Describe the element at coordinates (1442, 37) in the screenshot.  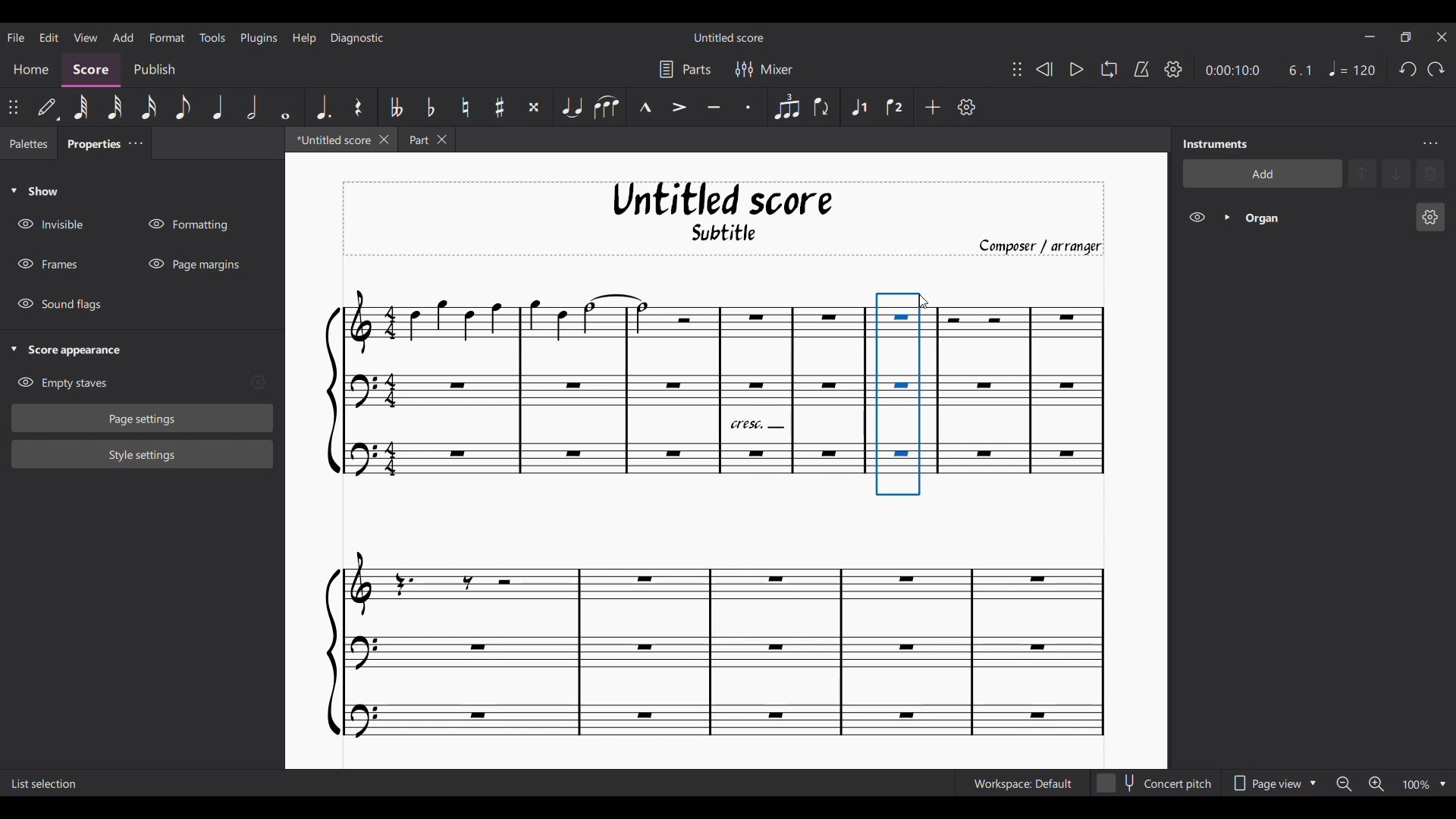
I see `Close interface` at that location.